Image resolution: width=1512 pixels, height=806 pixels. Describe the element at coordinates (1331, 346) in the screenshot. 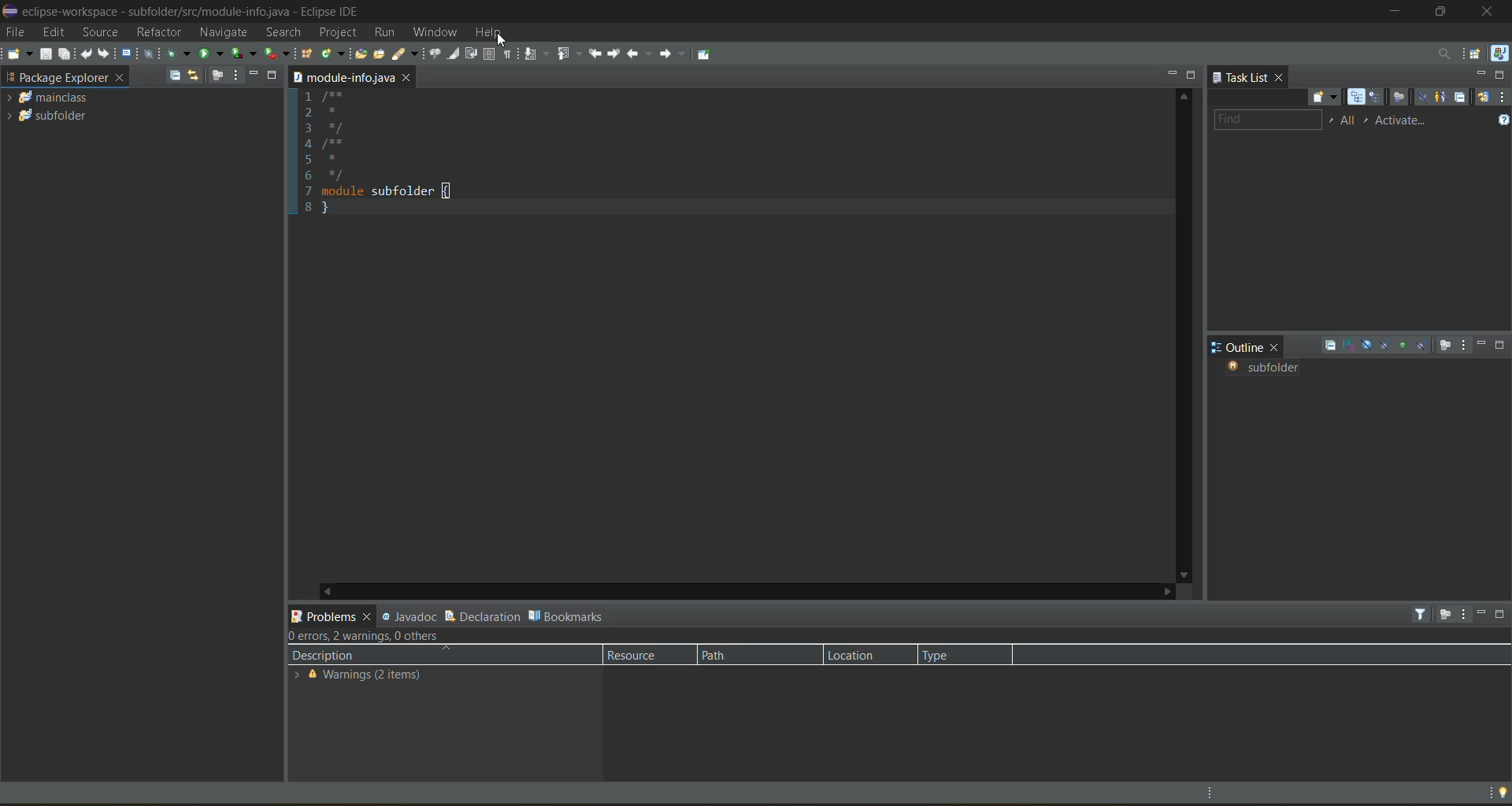

I see `collapse all` at that location.